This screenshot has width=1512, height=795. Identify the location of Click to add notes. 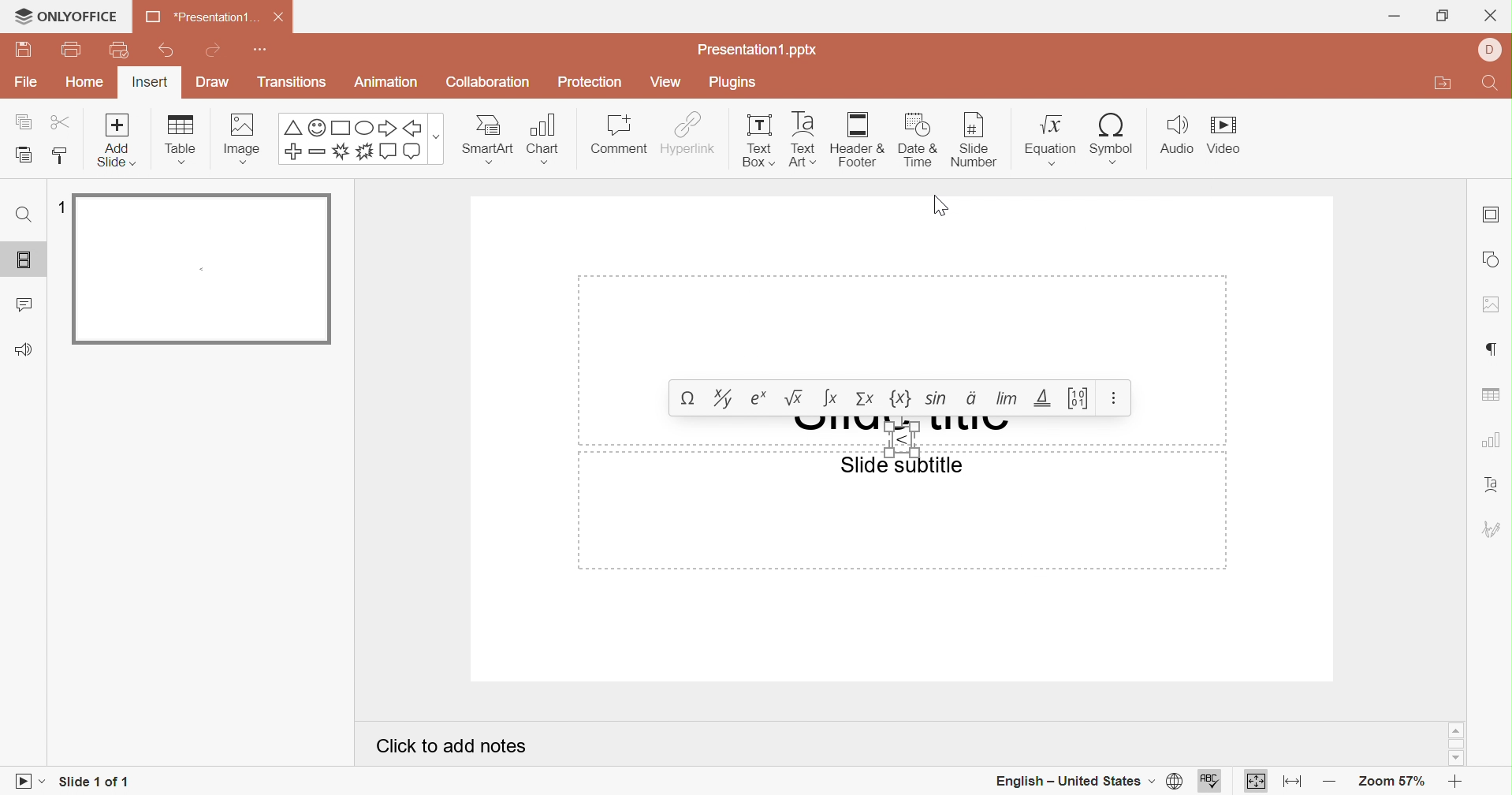
(449, 745).